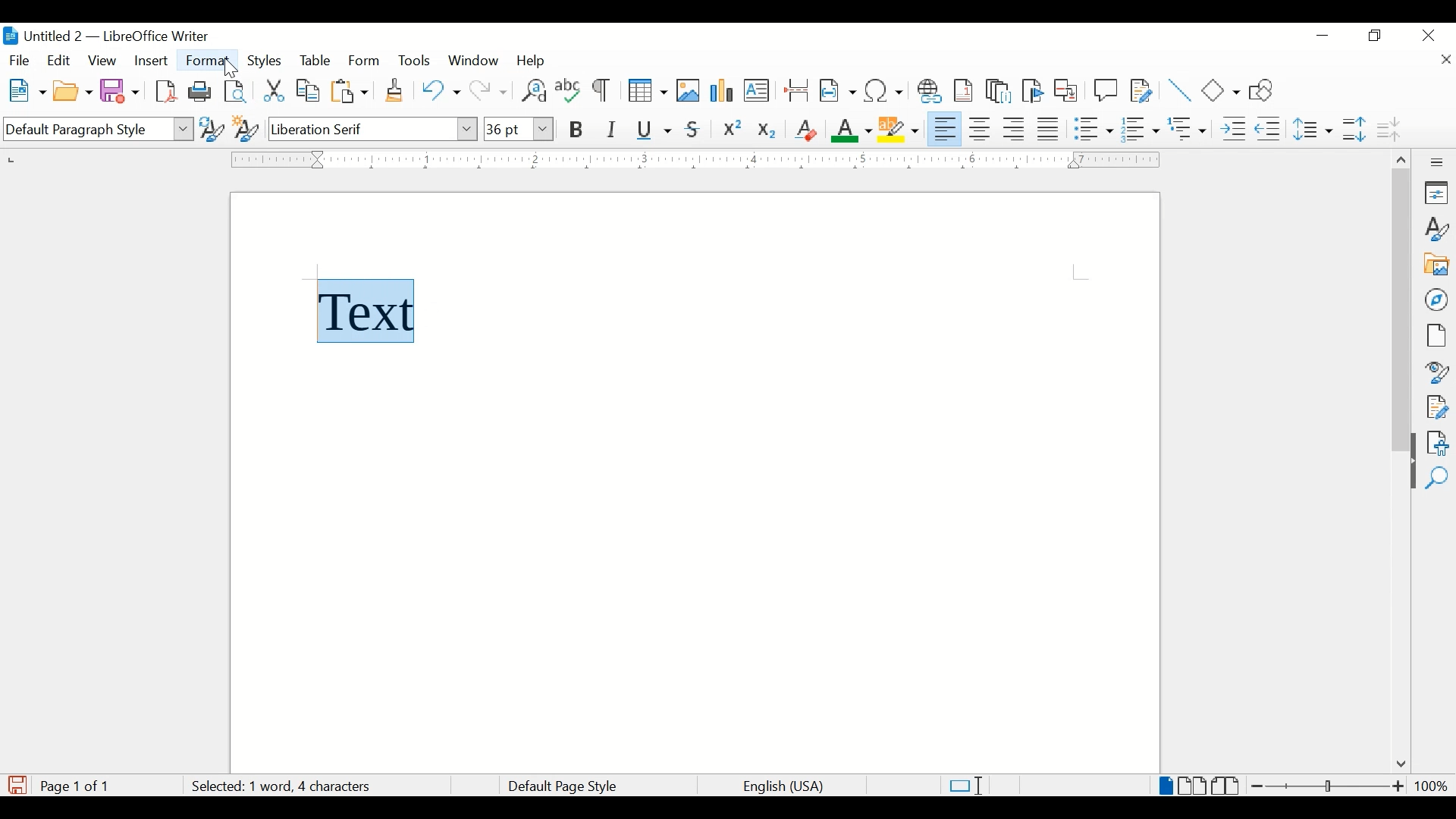 The image size is (1456, 819). I want to click on zoom level, so click(1431, 786).